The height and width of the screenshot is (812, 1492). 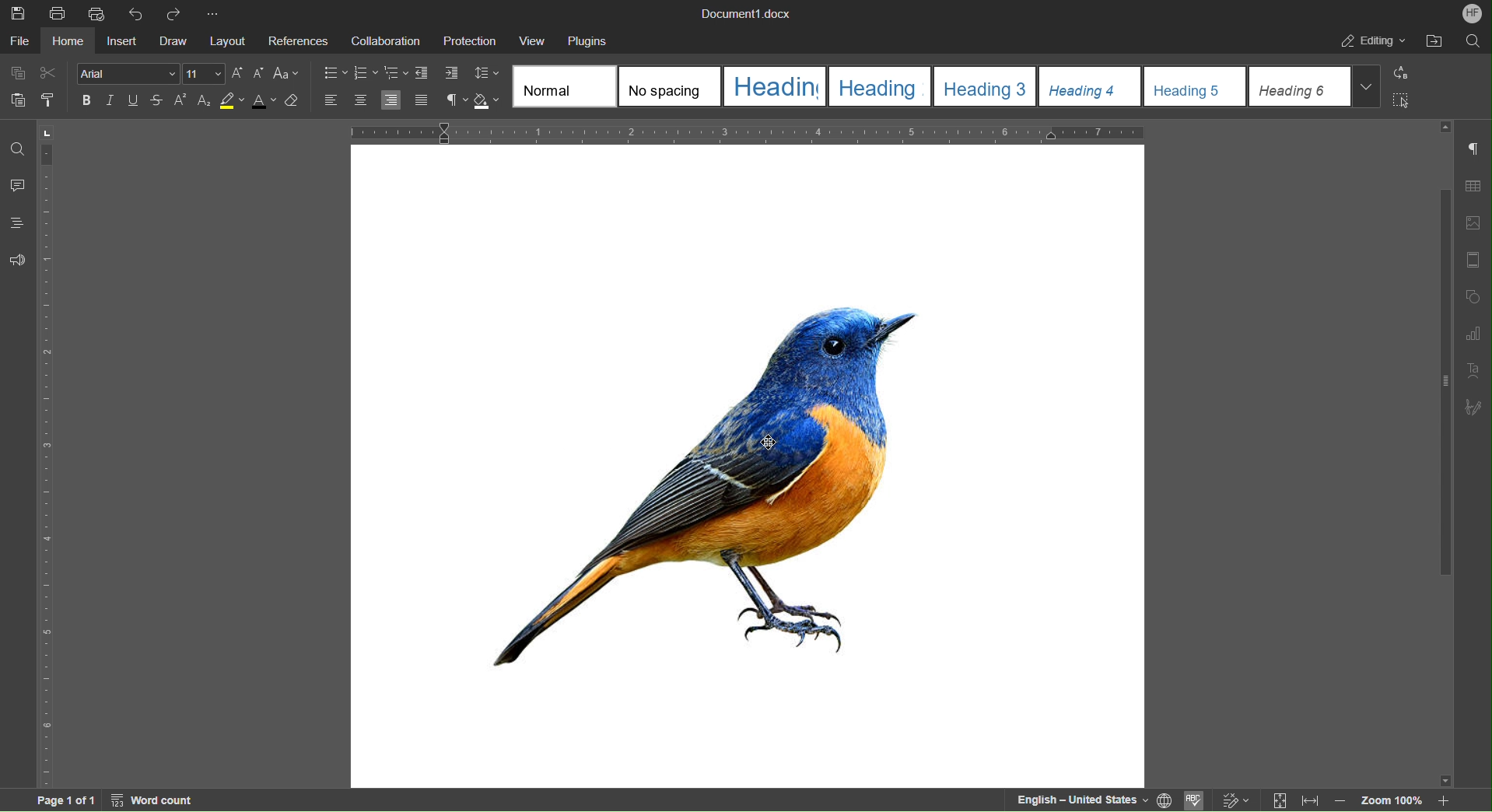 I want to click on Non-Printing Characters, so click(x=1474, y=148).